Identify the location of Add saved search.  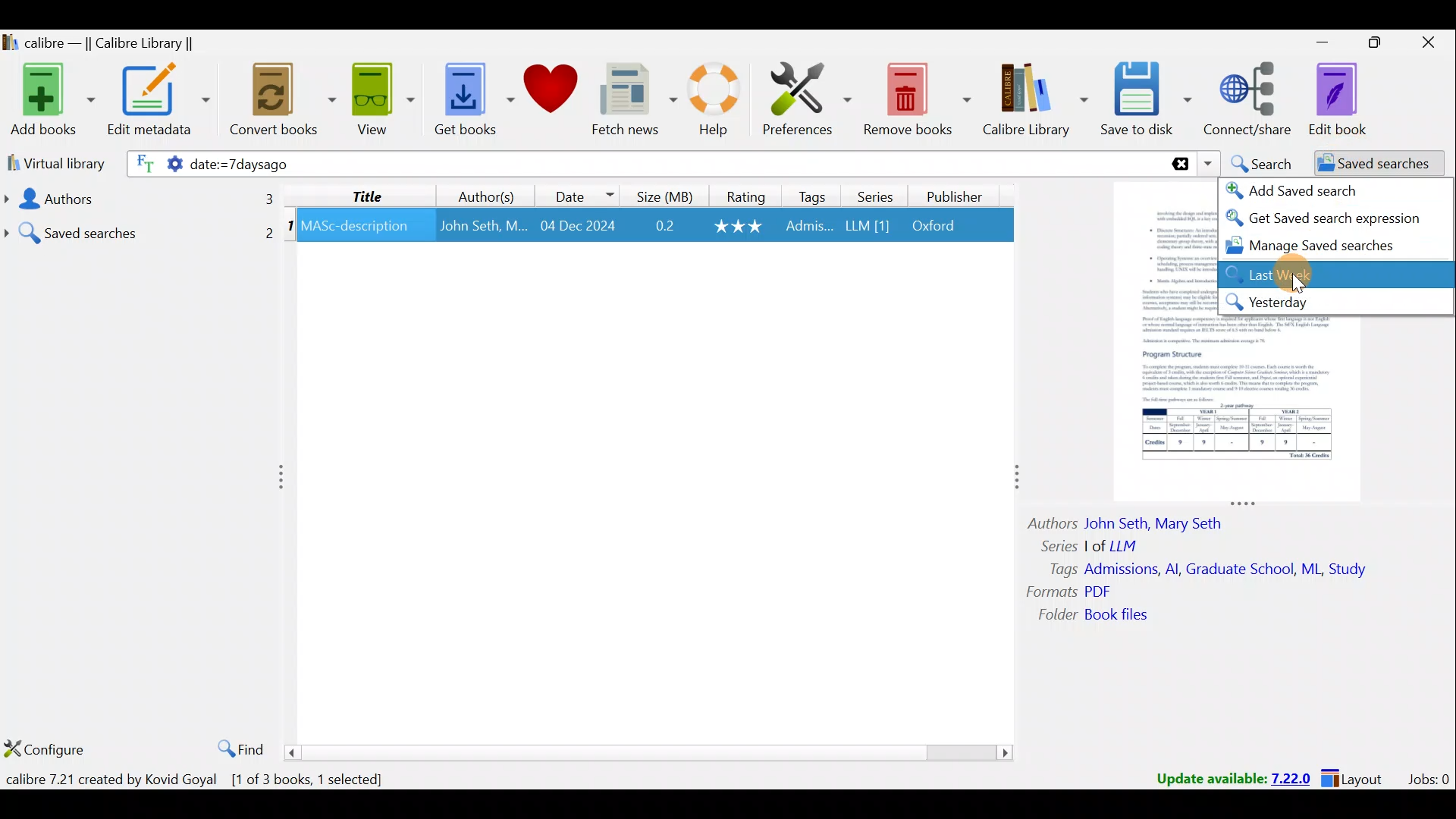
(1303, 190).